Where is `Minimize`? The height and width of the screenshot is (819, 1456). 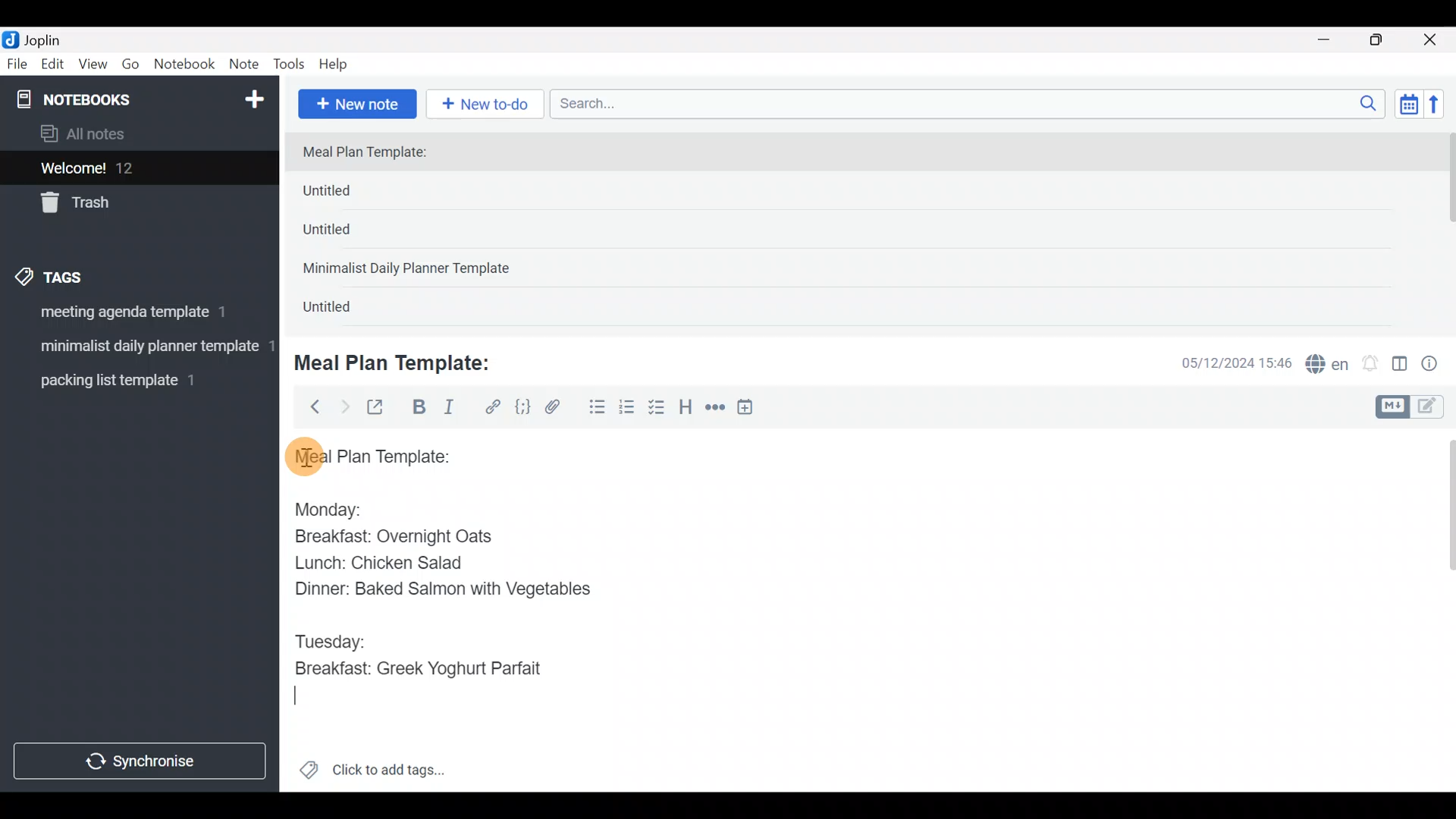 Minimize is located at coordinates (1332, 38).